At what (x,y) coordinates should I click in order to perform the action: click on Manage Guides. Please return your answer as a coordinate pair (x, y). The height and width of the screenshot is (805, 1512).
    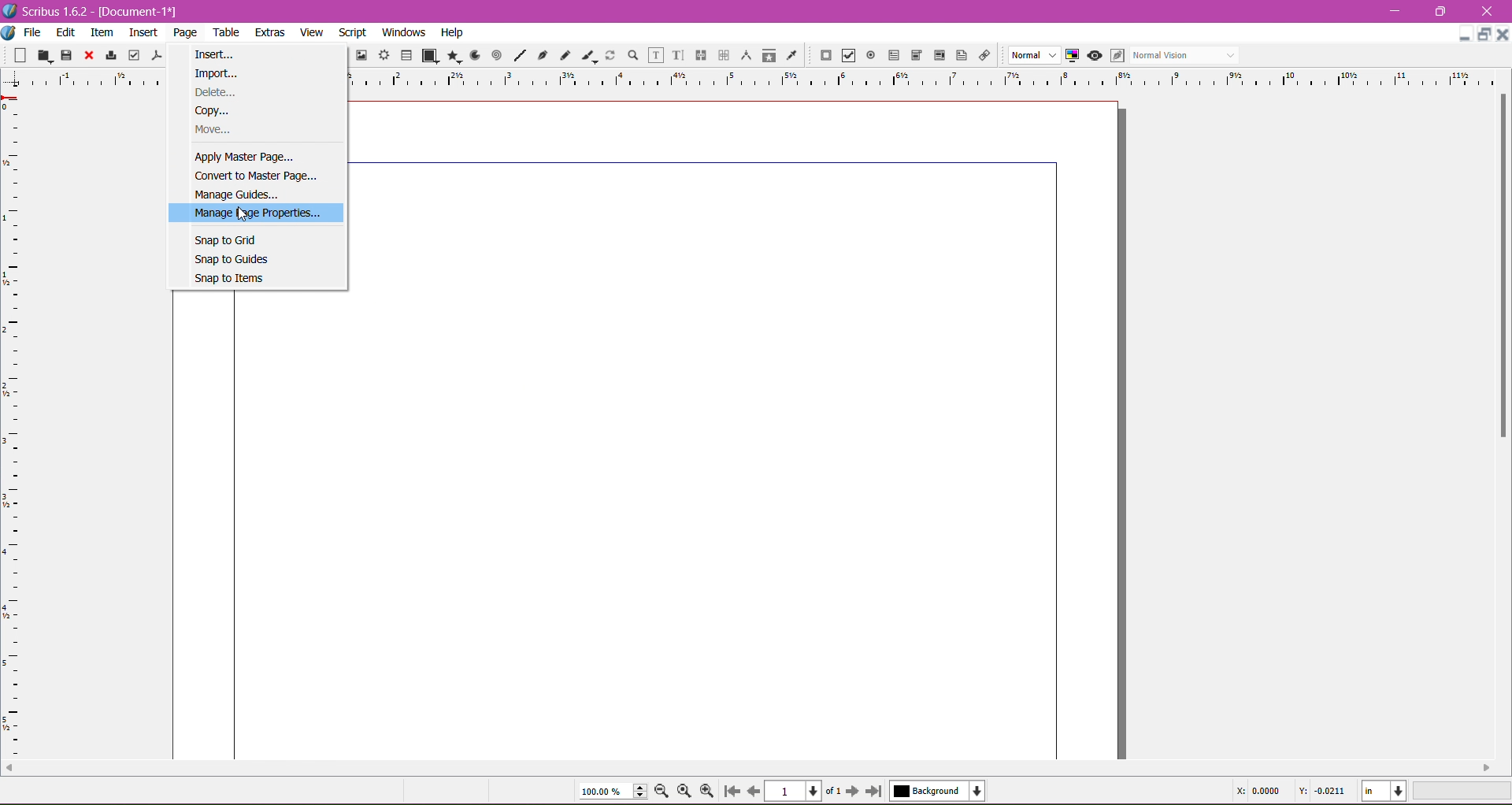
    Looking at the image, I should click on (239, 195).